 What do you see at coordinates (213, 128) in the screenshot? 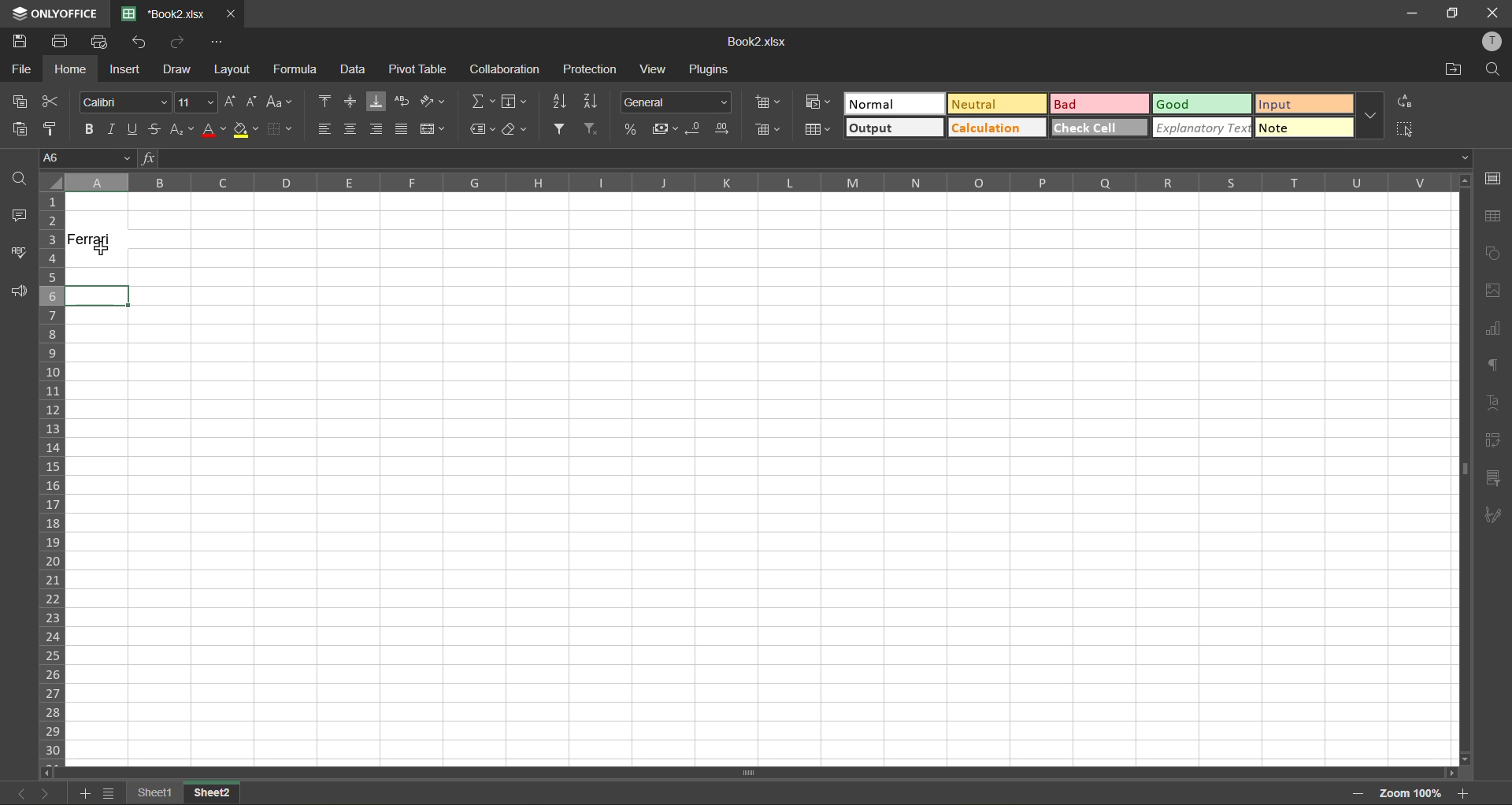
I see `font color` at bounding box center [213, 128].